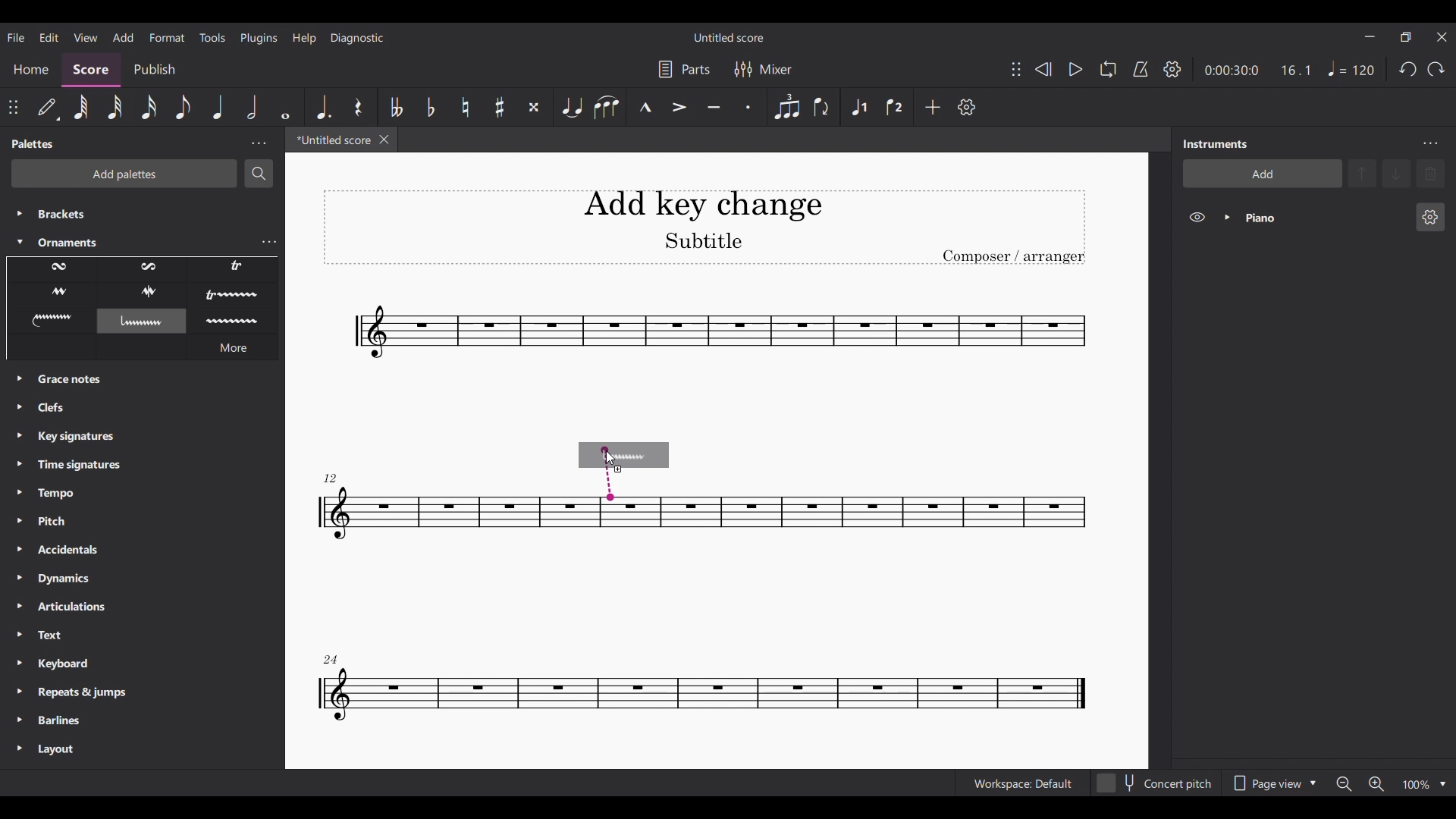 This screenshot has width=1456, height=819. I want to click on Add menu, so click(124, 36).